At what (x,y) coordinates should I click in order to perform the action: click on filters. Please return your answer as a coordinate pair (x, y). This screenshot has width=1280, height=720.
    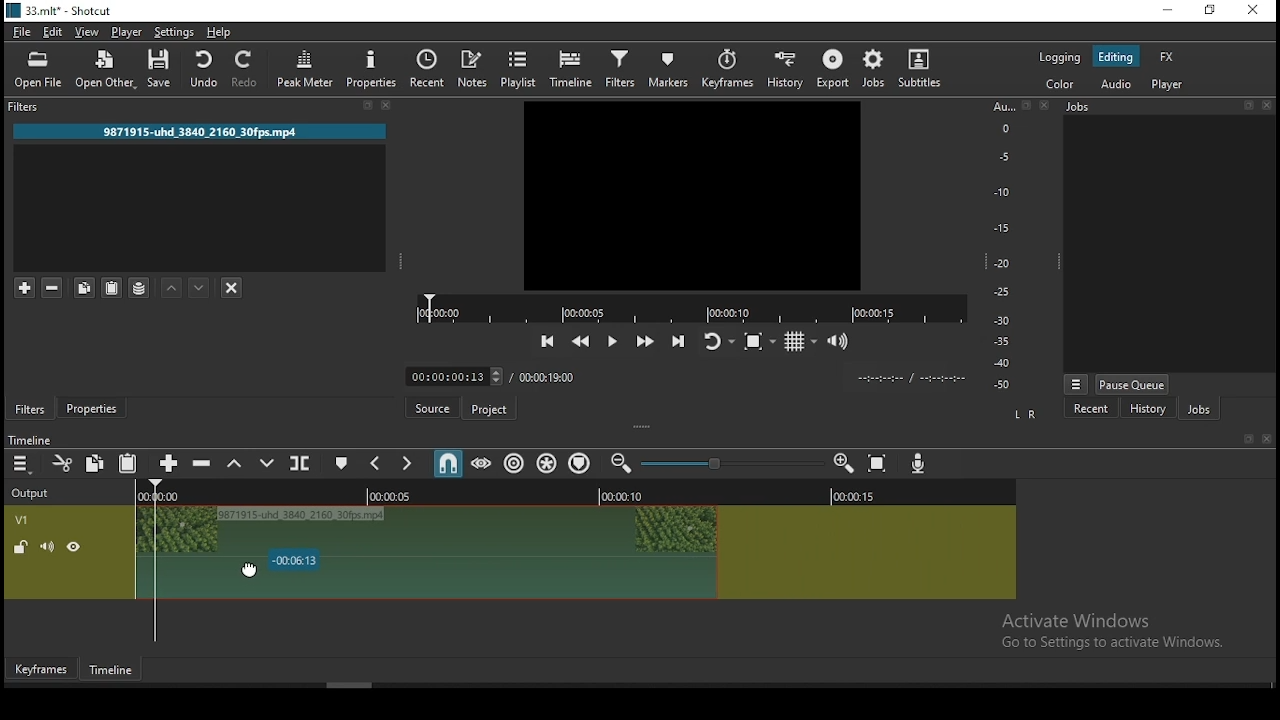
    Looking at the image, I should click on (619, 70).